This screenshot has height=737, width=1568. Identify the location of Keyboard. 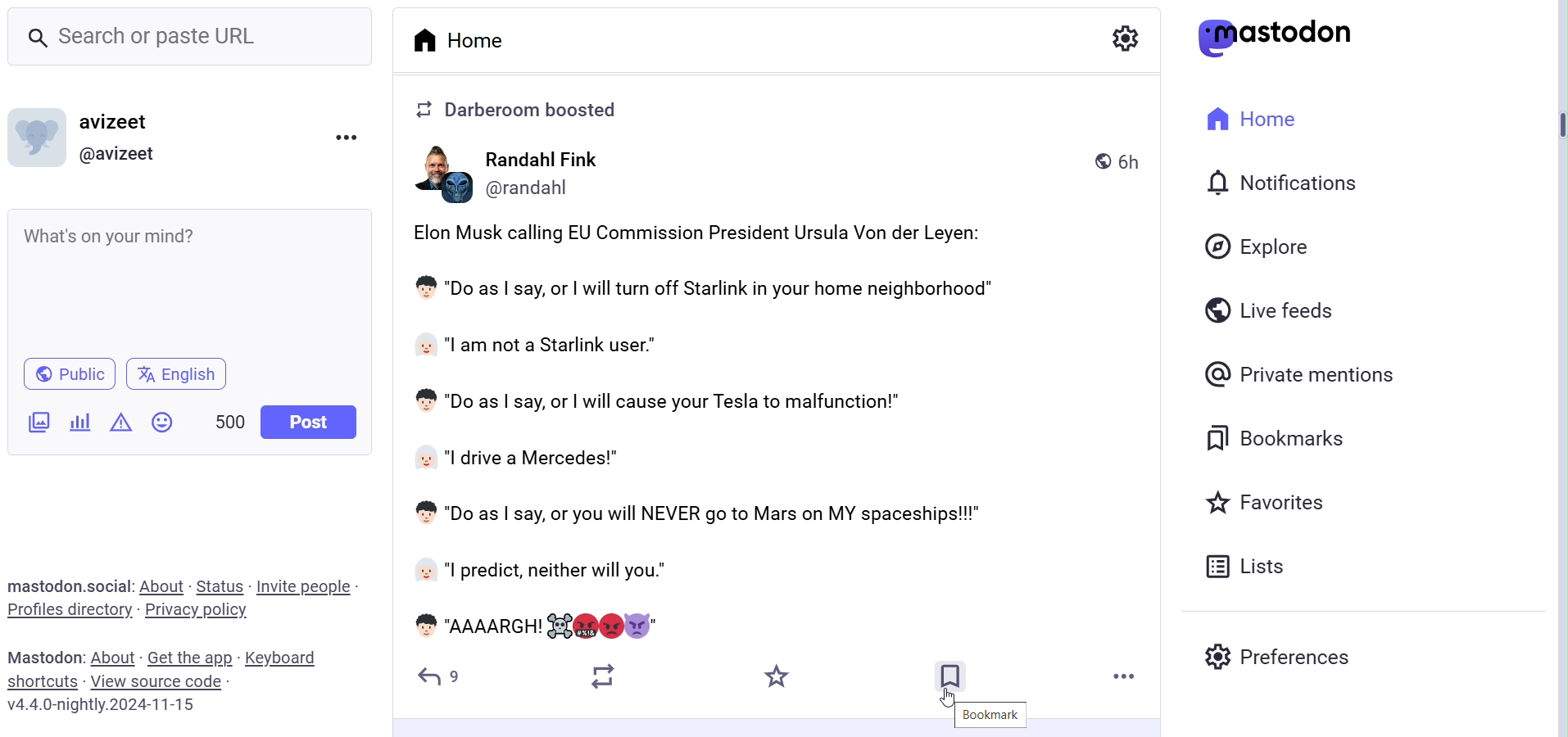
(283, 658).